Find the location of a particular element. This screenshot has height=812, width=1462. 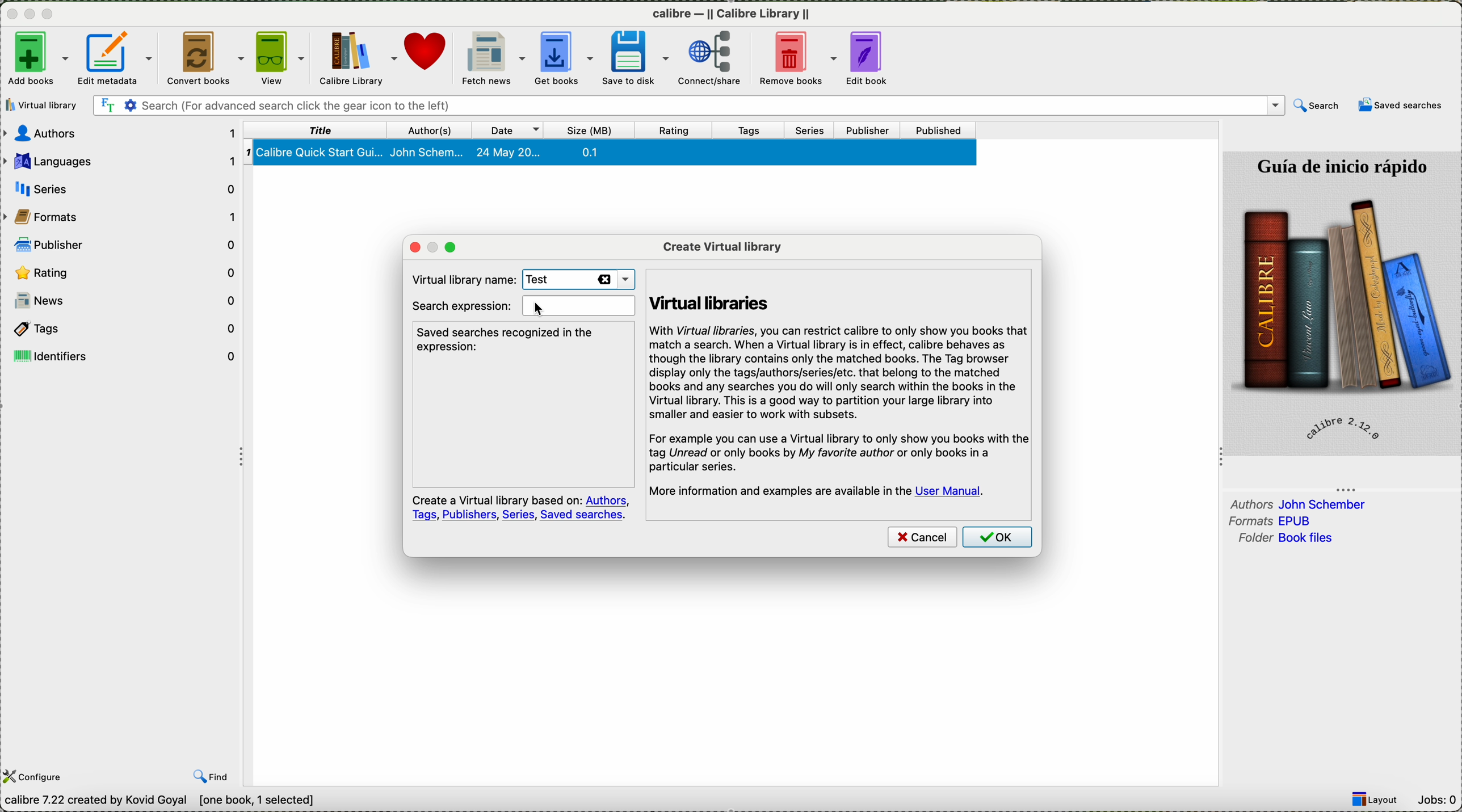

date is located at coordinates (514, 129).